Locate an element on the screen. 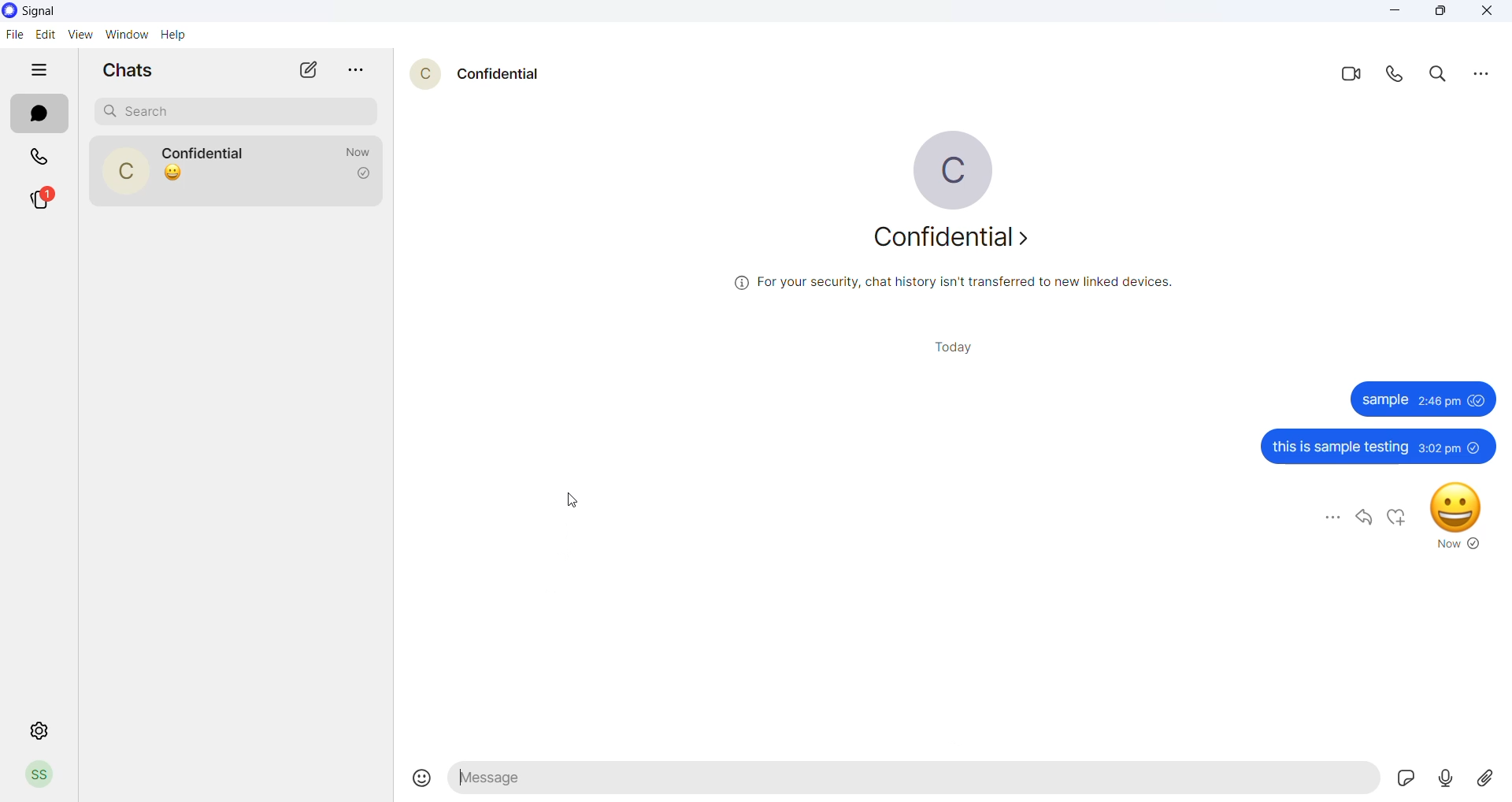  this is sample testing is located at coordinates (1340, 448).